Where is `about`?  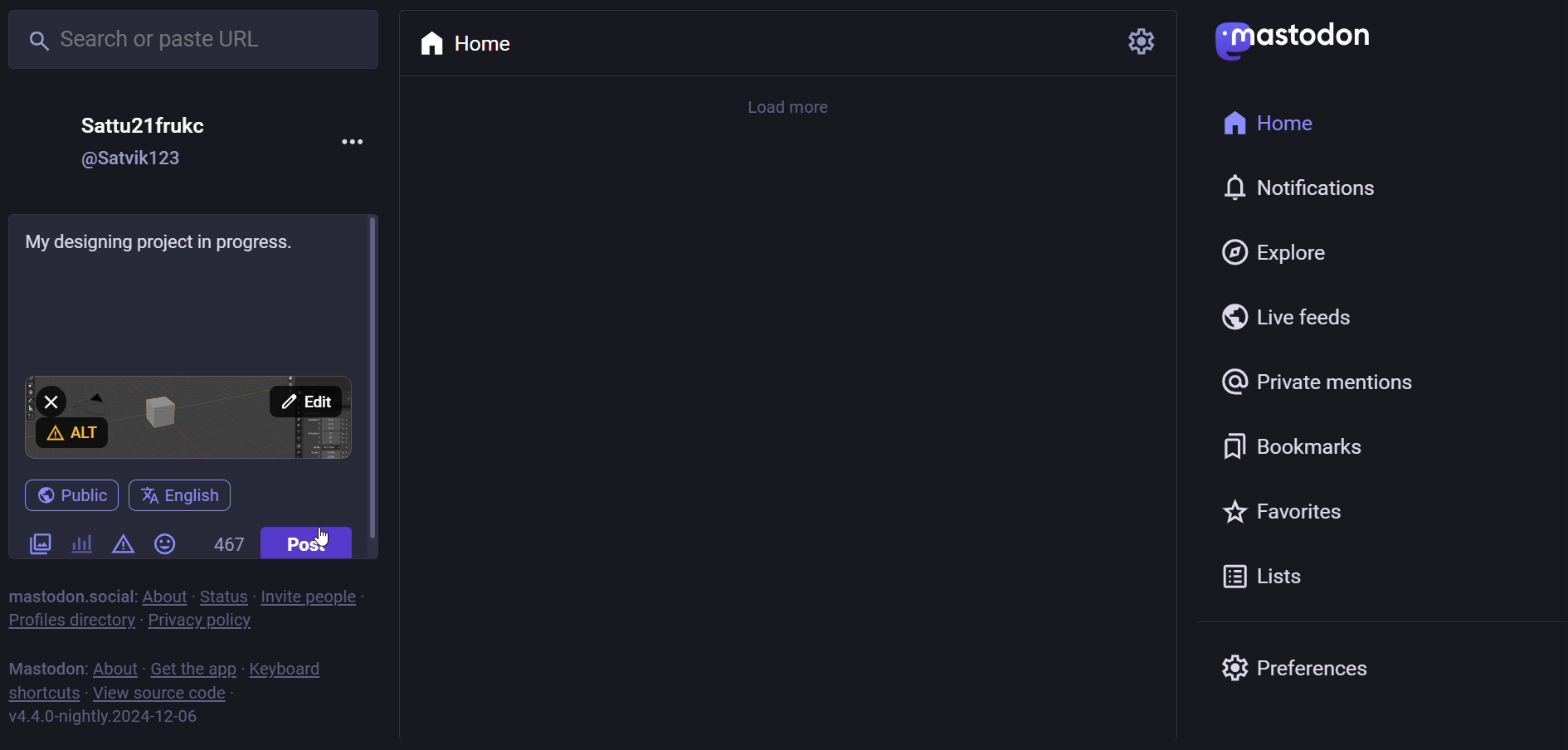 about is located at coordinates (162, 595).